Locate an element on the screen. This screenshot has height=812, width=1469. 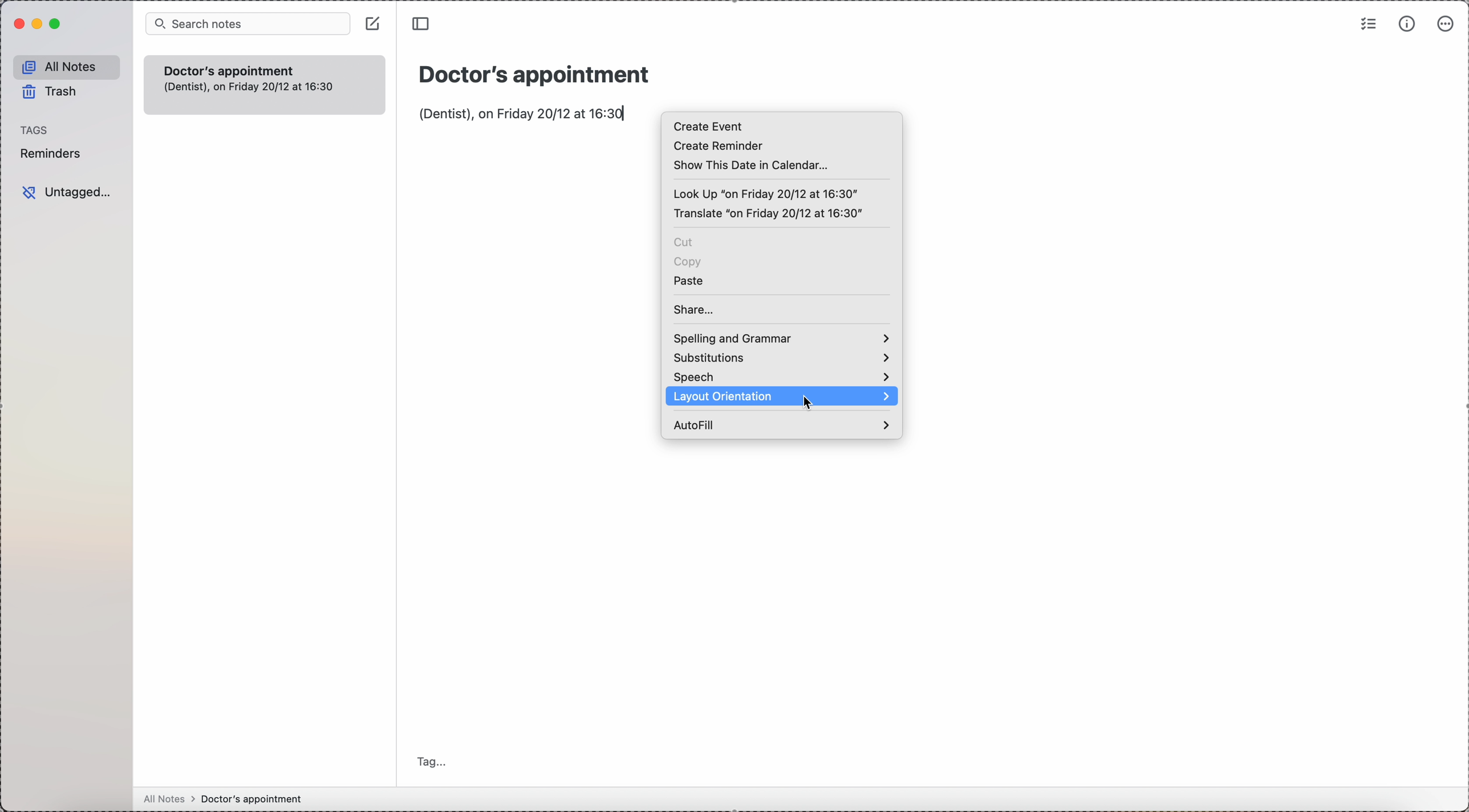
more options is located at coordinates (1446, 26).